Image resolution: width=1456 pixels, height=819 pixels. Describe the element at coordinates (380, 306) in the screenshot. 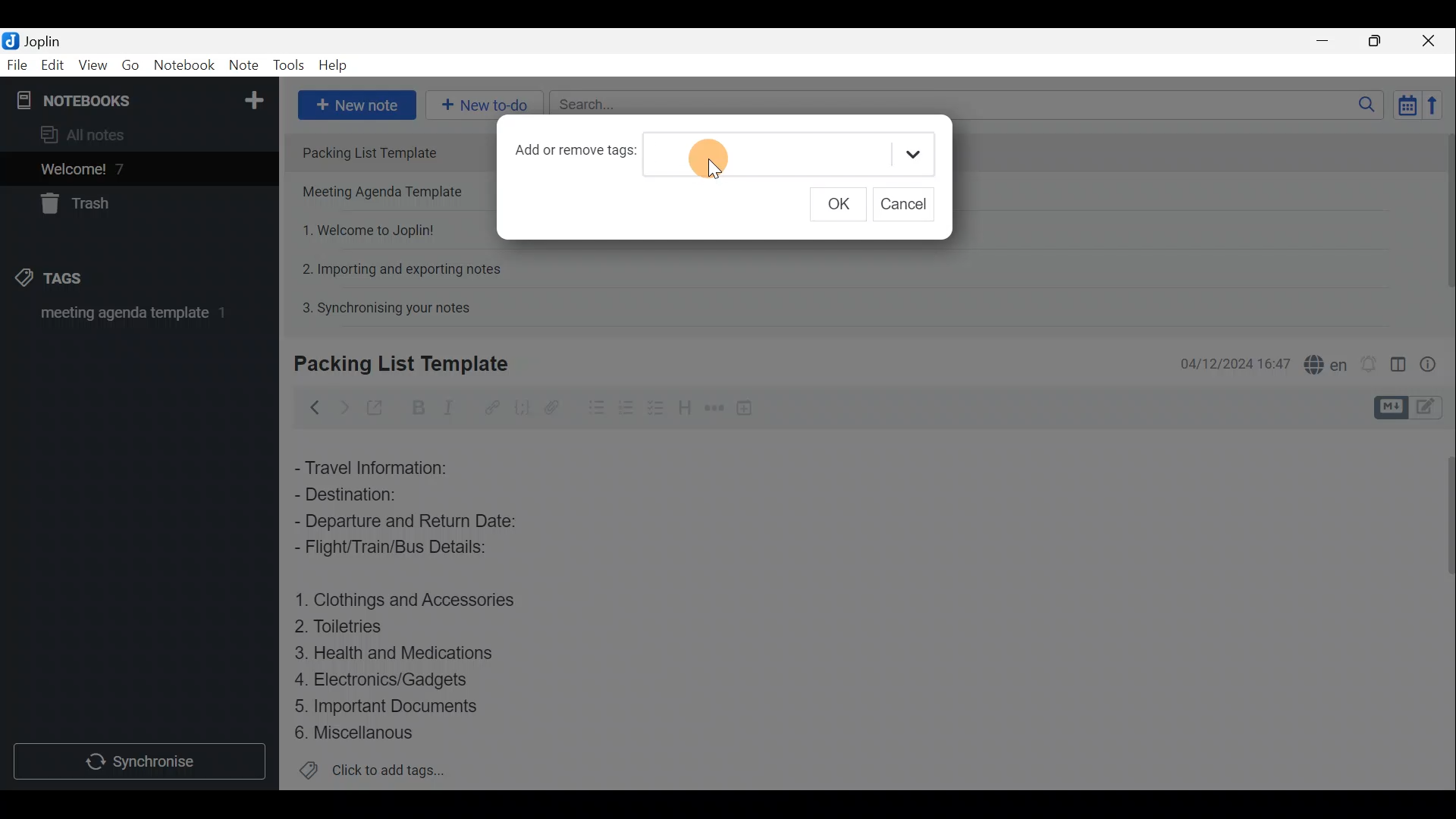

I see `Note 5` at that location.